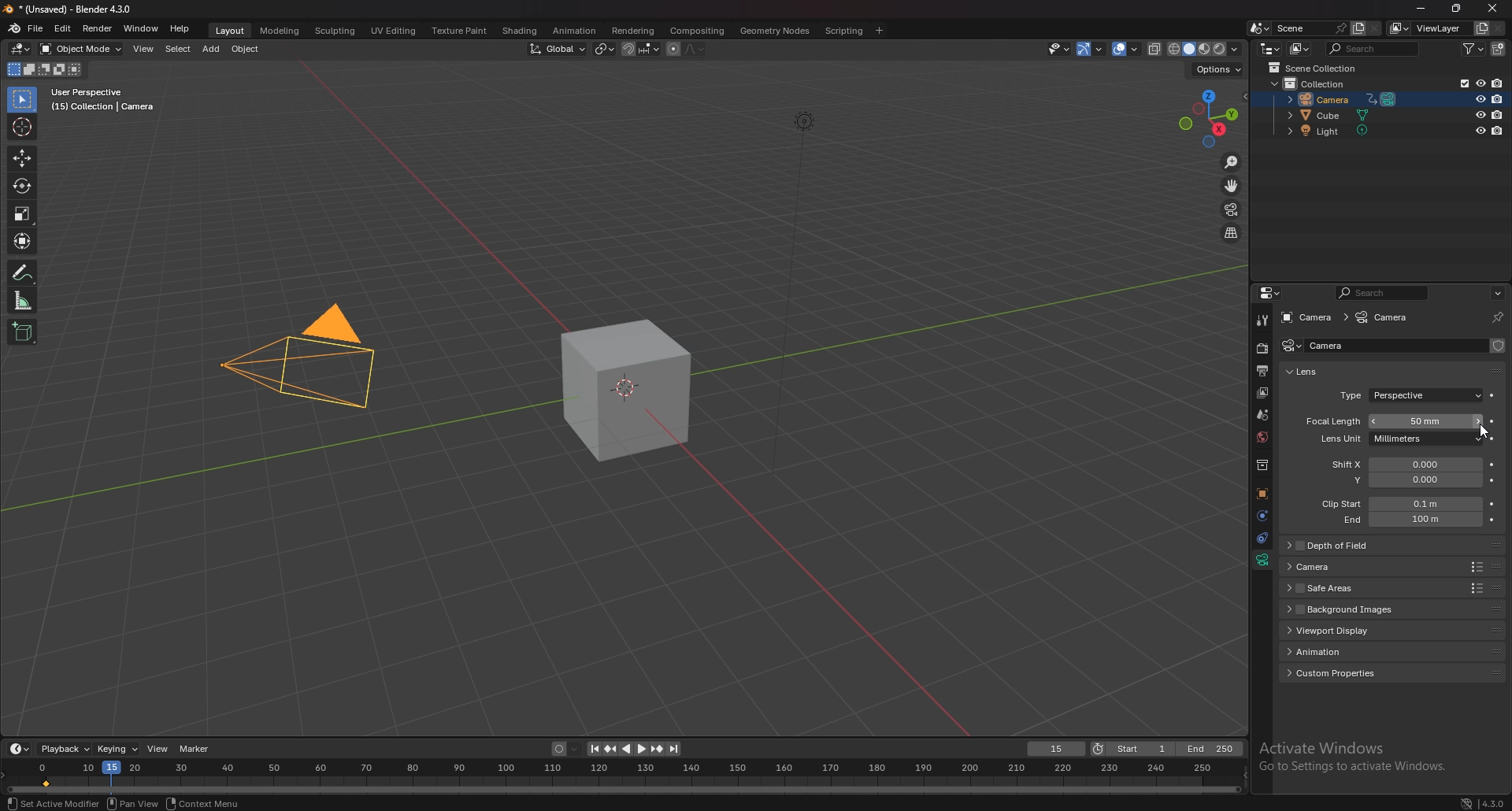 Image resolution: width=1512 pixels, height=811 pixels. What do you see at coordinates (1232, 233) in the screenshot?
I see `perspective/orthographic` at bounding box center [1232, 233].